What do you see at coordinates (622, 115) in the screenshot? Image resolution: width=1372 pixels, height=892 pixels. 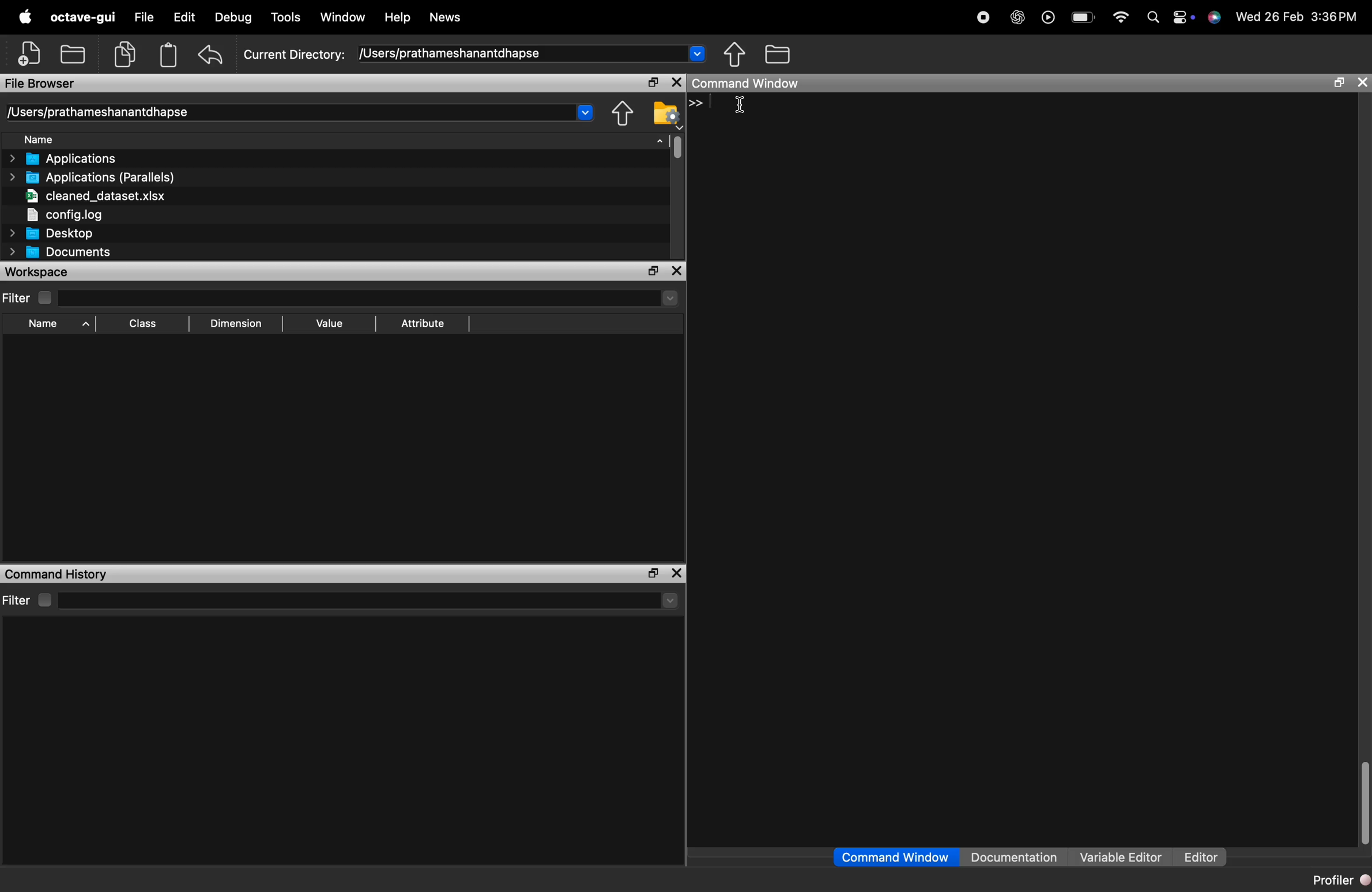 I see `Browse directories` at bounding box center [622, 115].